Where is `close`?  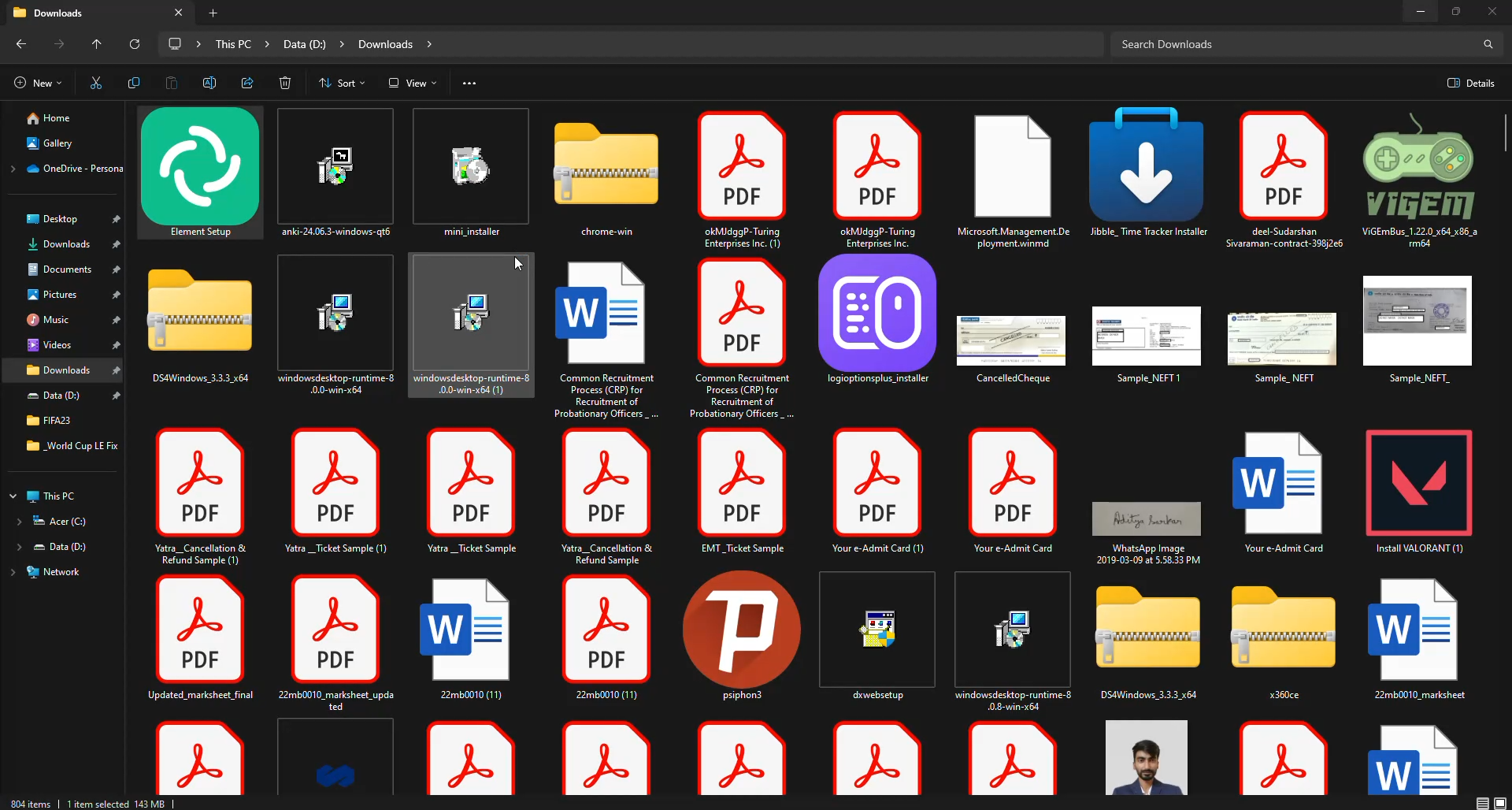
close is located at coordinates (1494, 11).